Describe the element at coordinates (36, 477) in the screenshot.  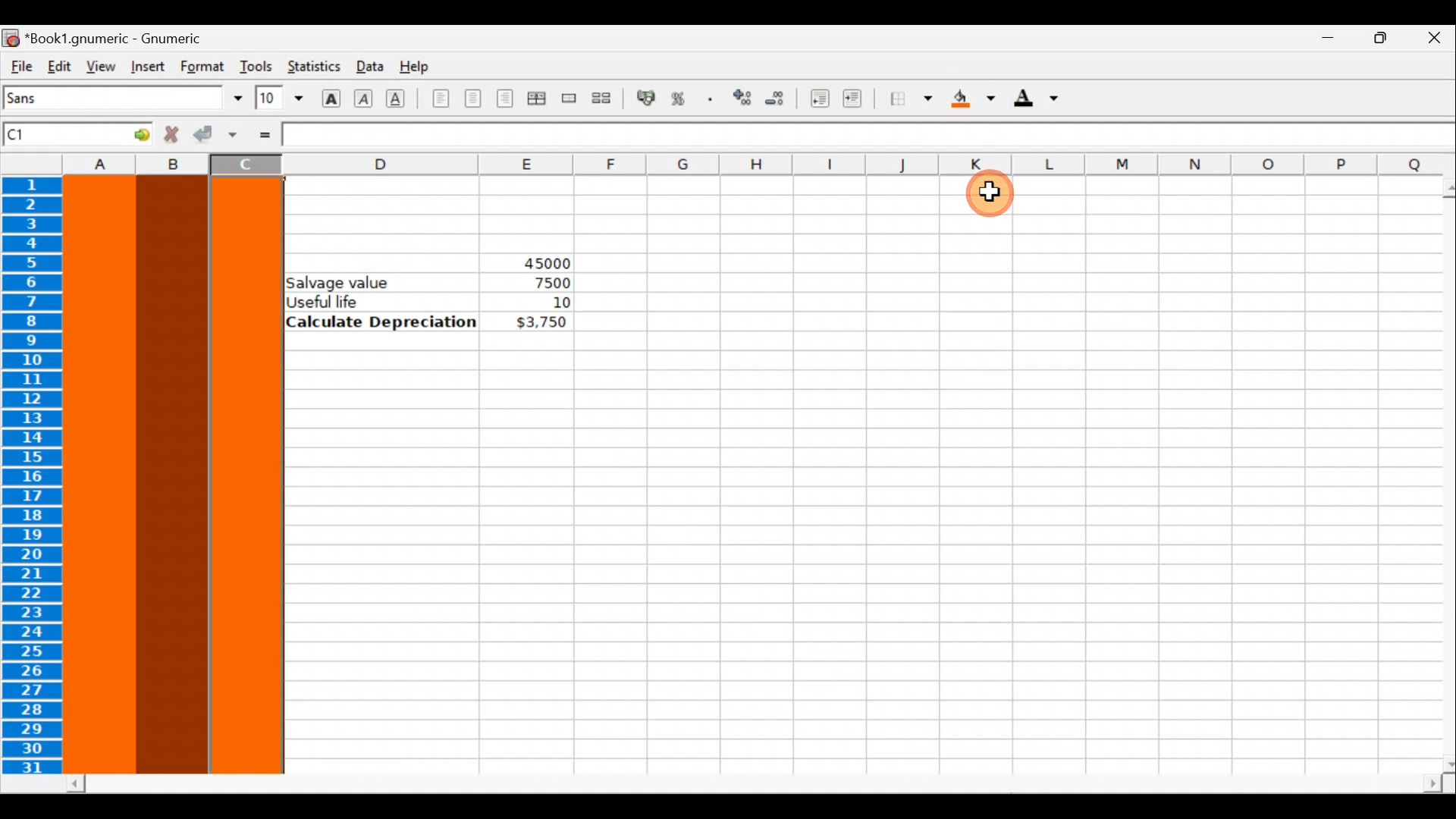
I see `Rows` at that location.